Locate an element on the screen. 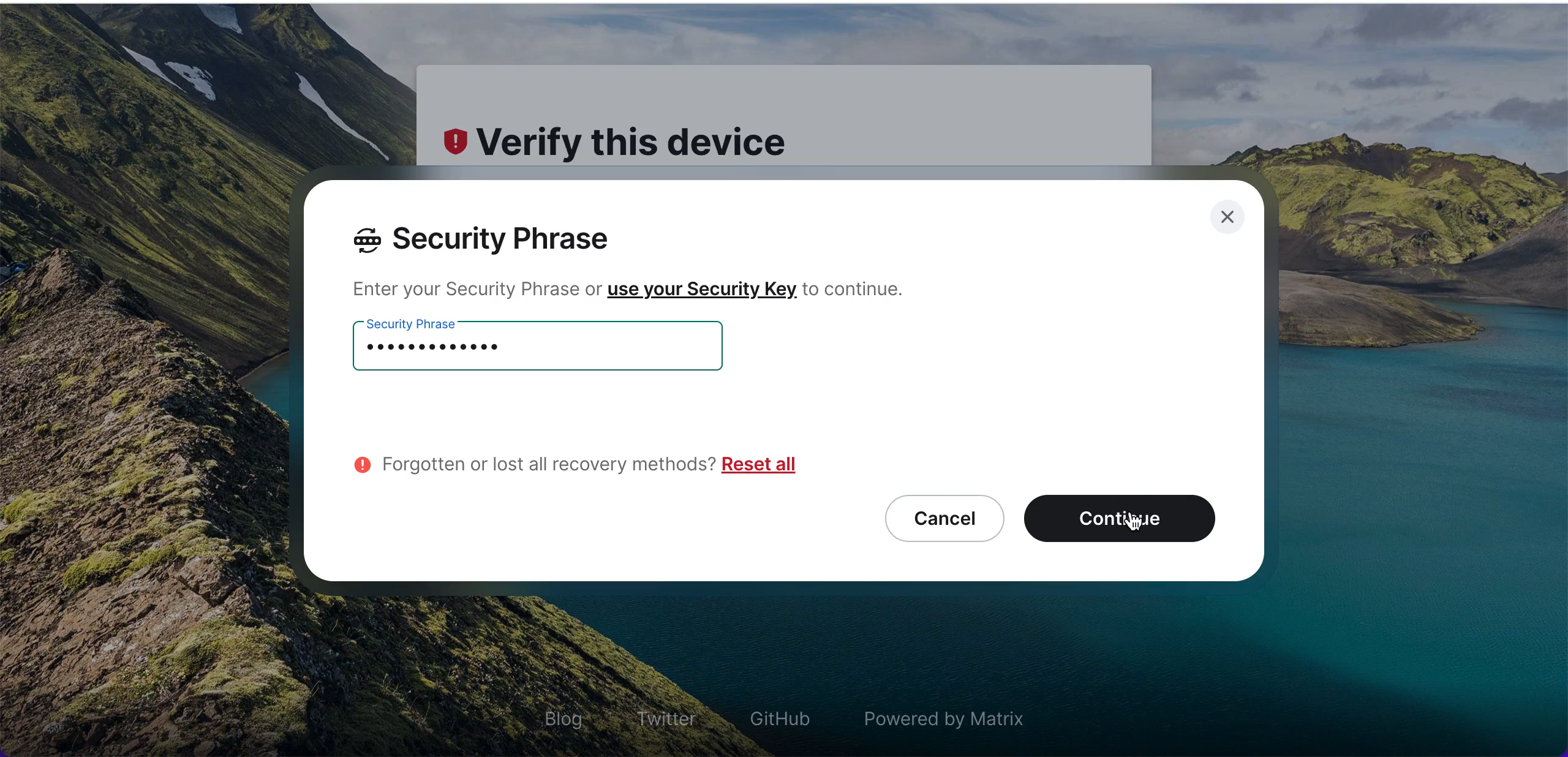  use your security key is located at coordinates (701, 288).